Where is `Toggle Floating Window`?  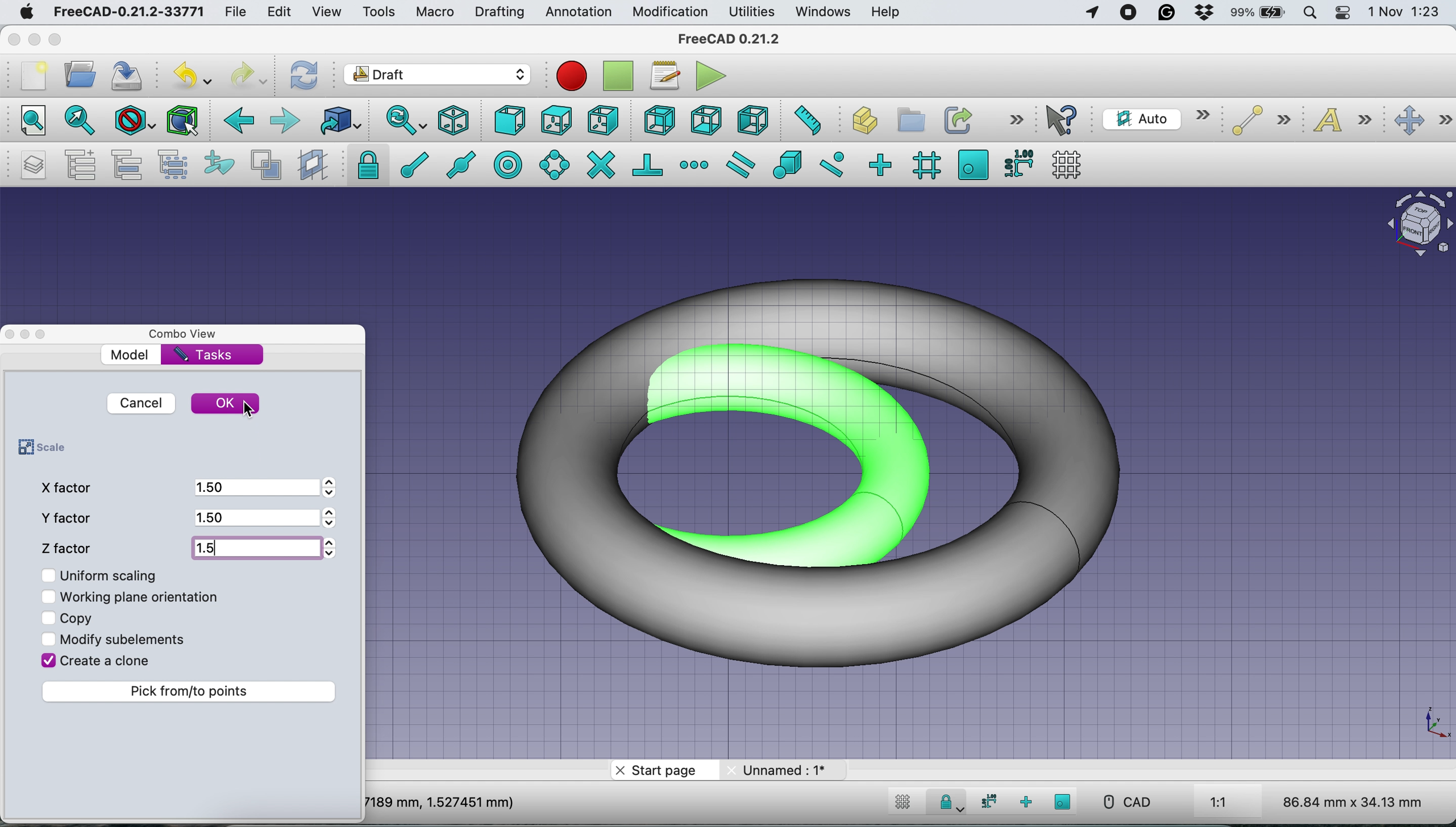 Toggle Floating Window is located at coordinates (27, 335).